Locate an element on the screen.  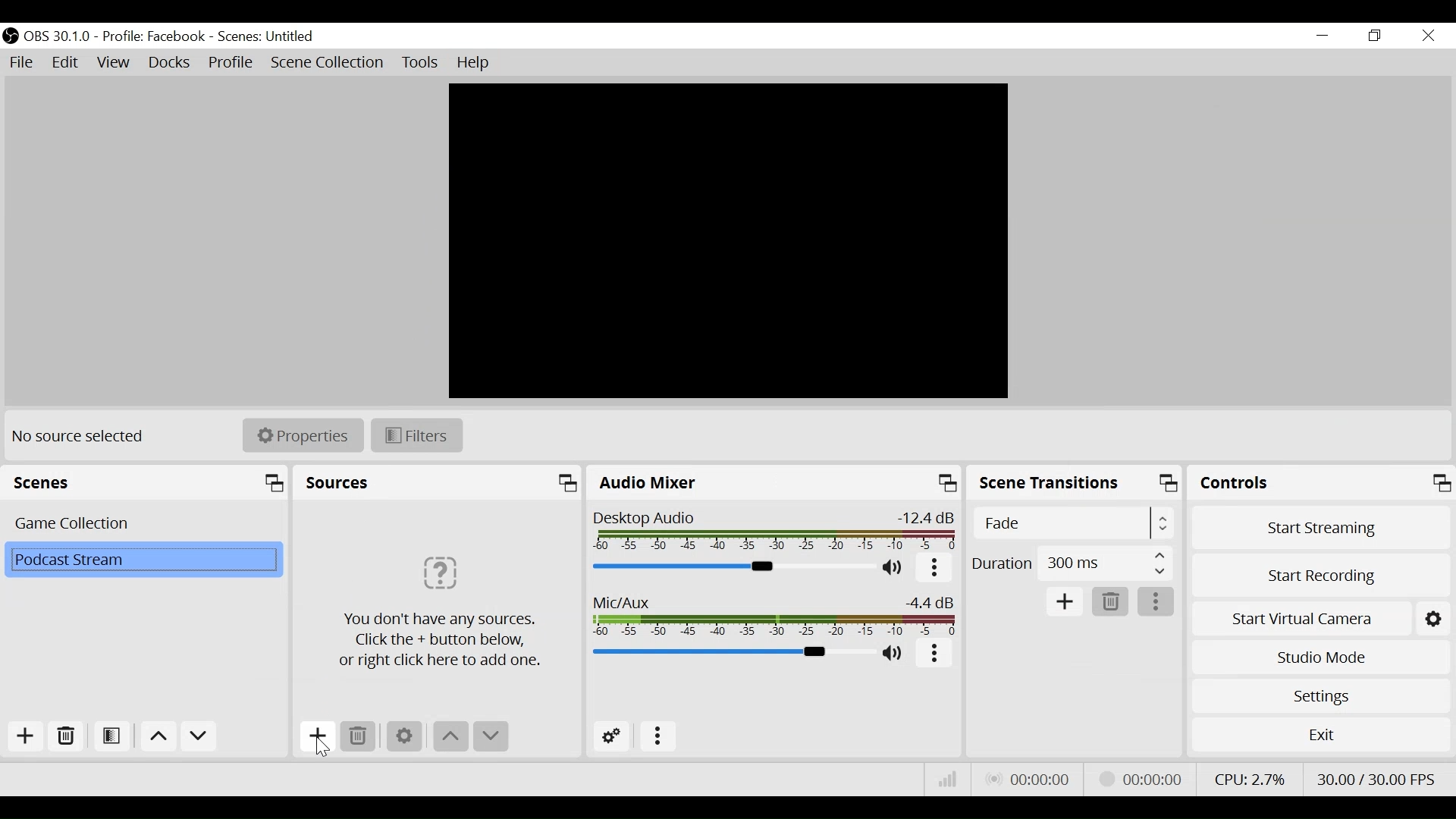
Move up is located at coordinates (157, 737).